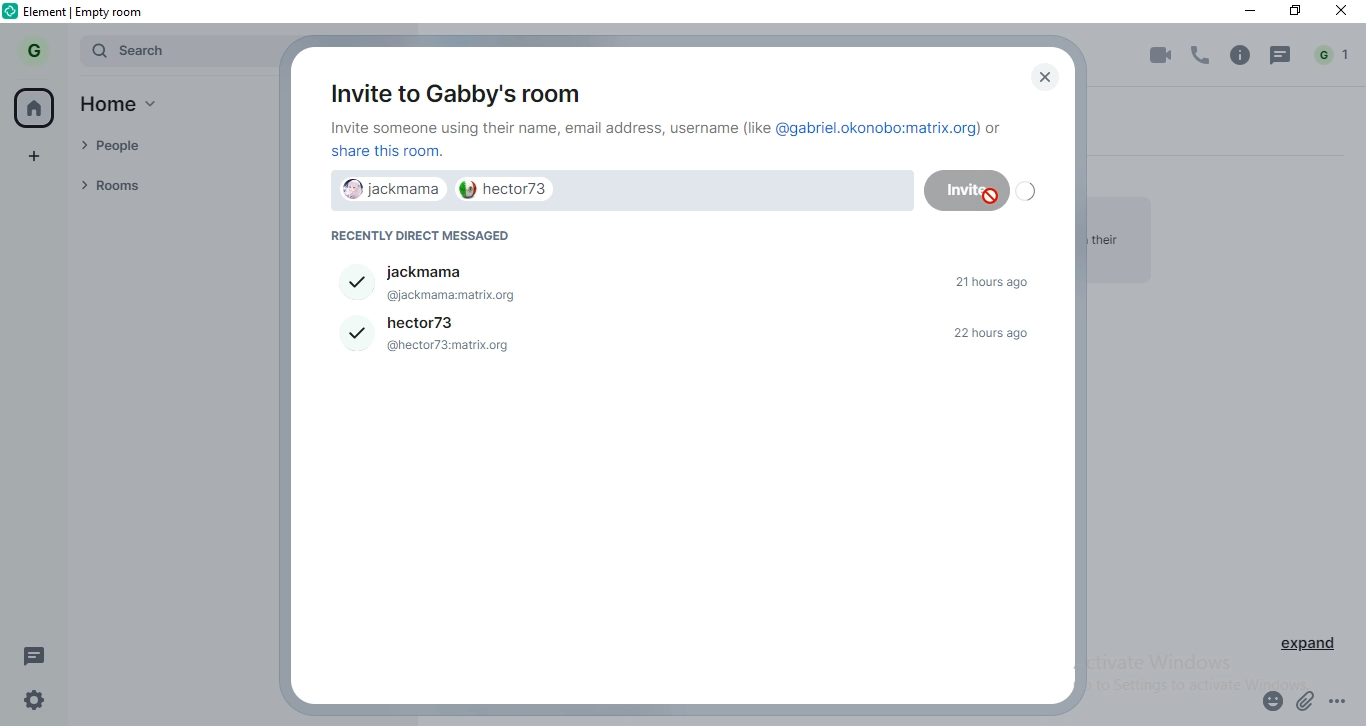 The width and height of the screenshot is (1366, 726). Describe the element at coordinates (956, 188) in the screenshot. I see `invite` at that location.